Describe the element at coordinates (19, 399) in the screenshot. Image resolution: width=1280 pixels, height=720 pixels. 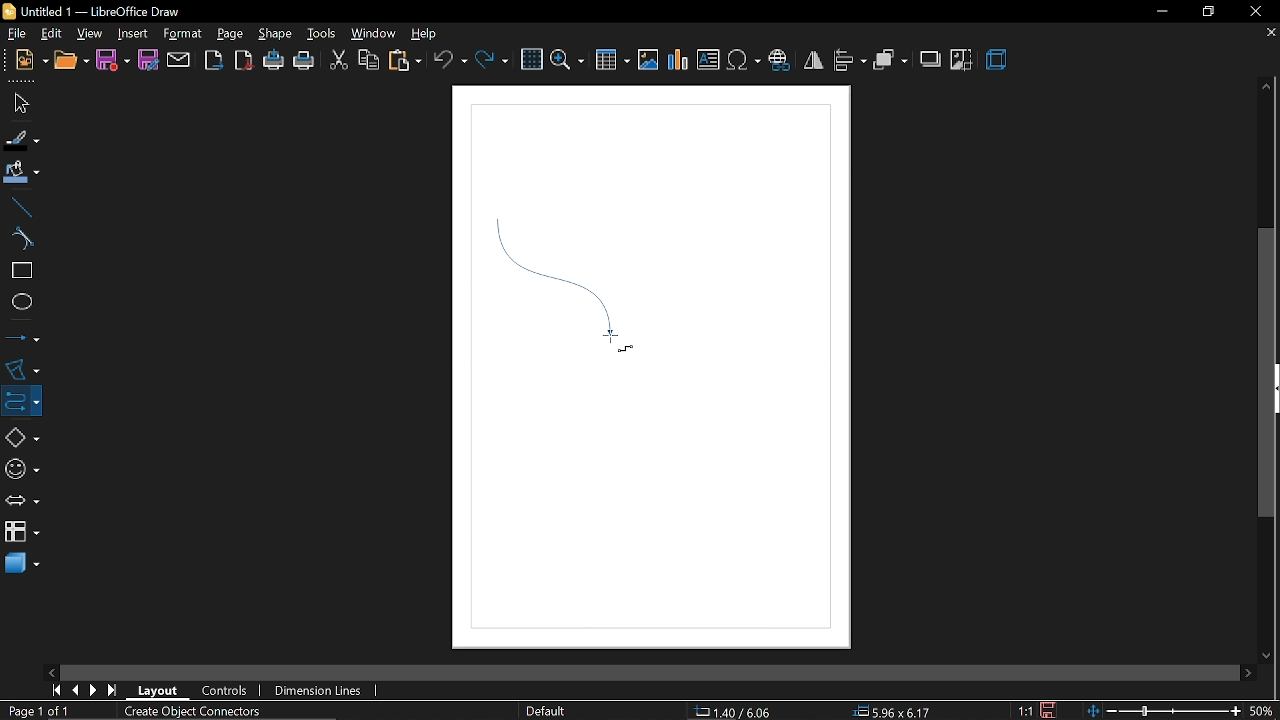
I see `connector` at that location.